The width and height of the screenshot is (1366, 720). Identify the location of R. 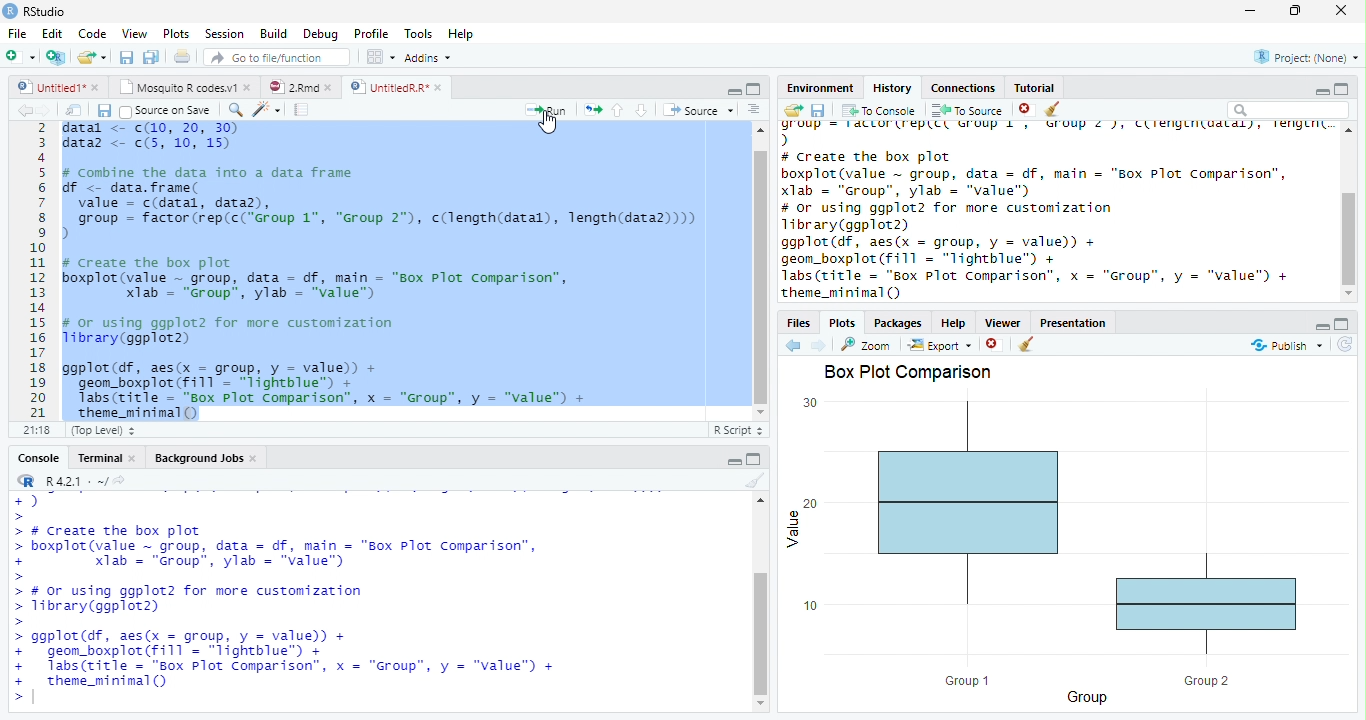
(24, 480).